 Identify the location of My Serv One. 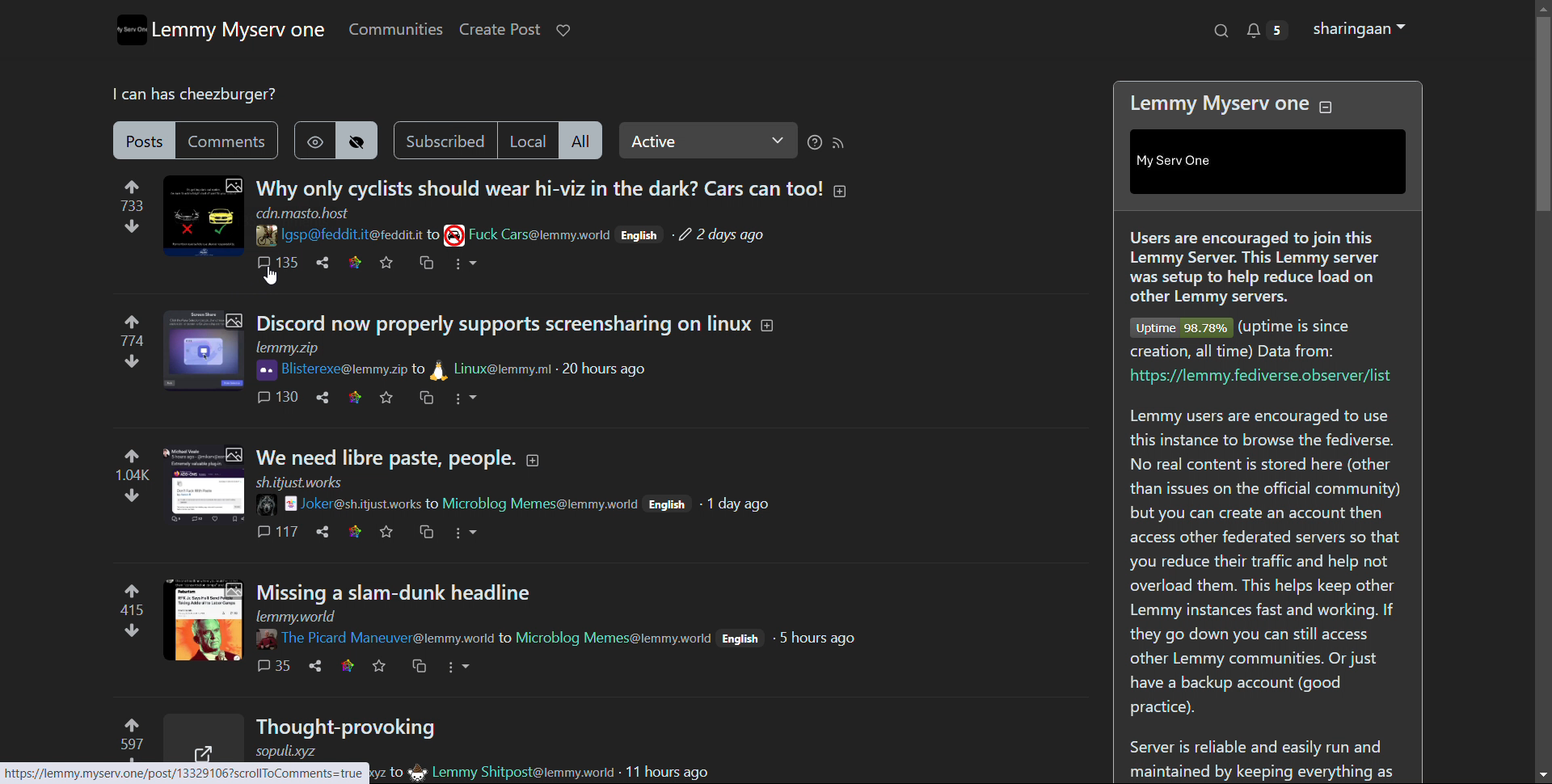
(1268, 162).